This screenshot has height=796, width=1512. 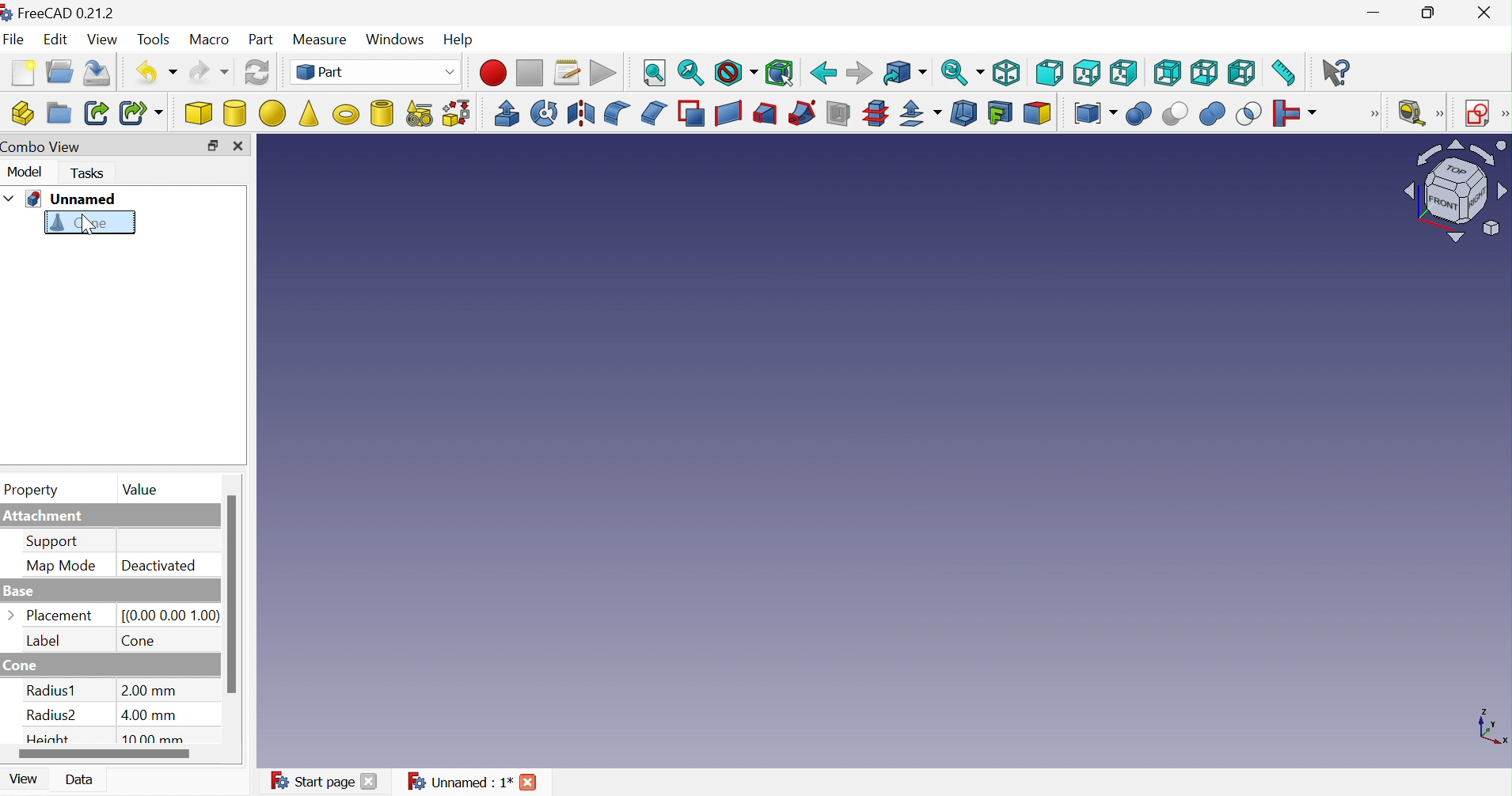 What do you see at coordinates (33, 491) in the screenshot?
I see `Property` at bounding box center [33, 491].